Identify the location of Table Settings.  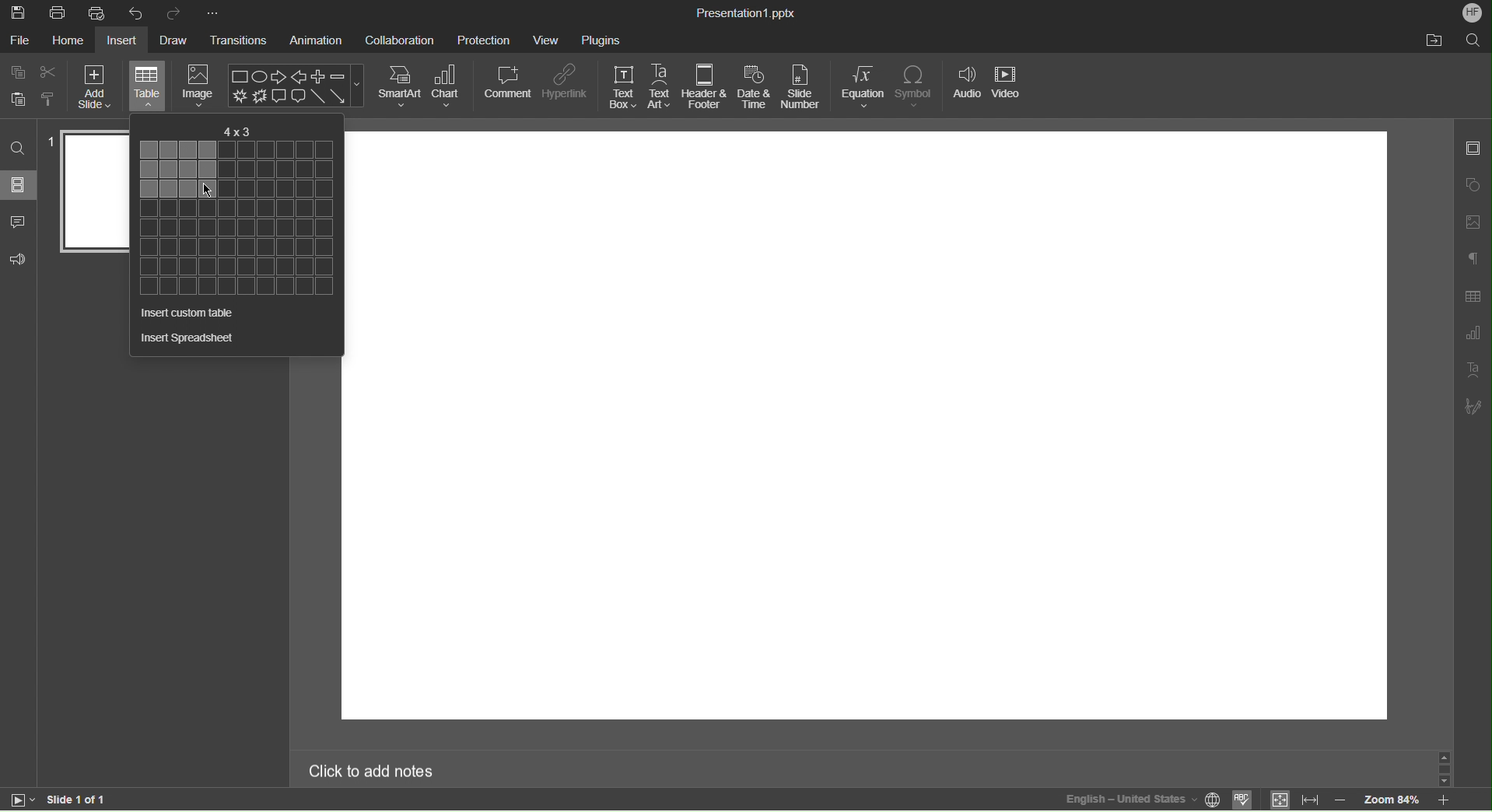
(1473, 296).